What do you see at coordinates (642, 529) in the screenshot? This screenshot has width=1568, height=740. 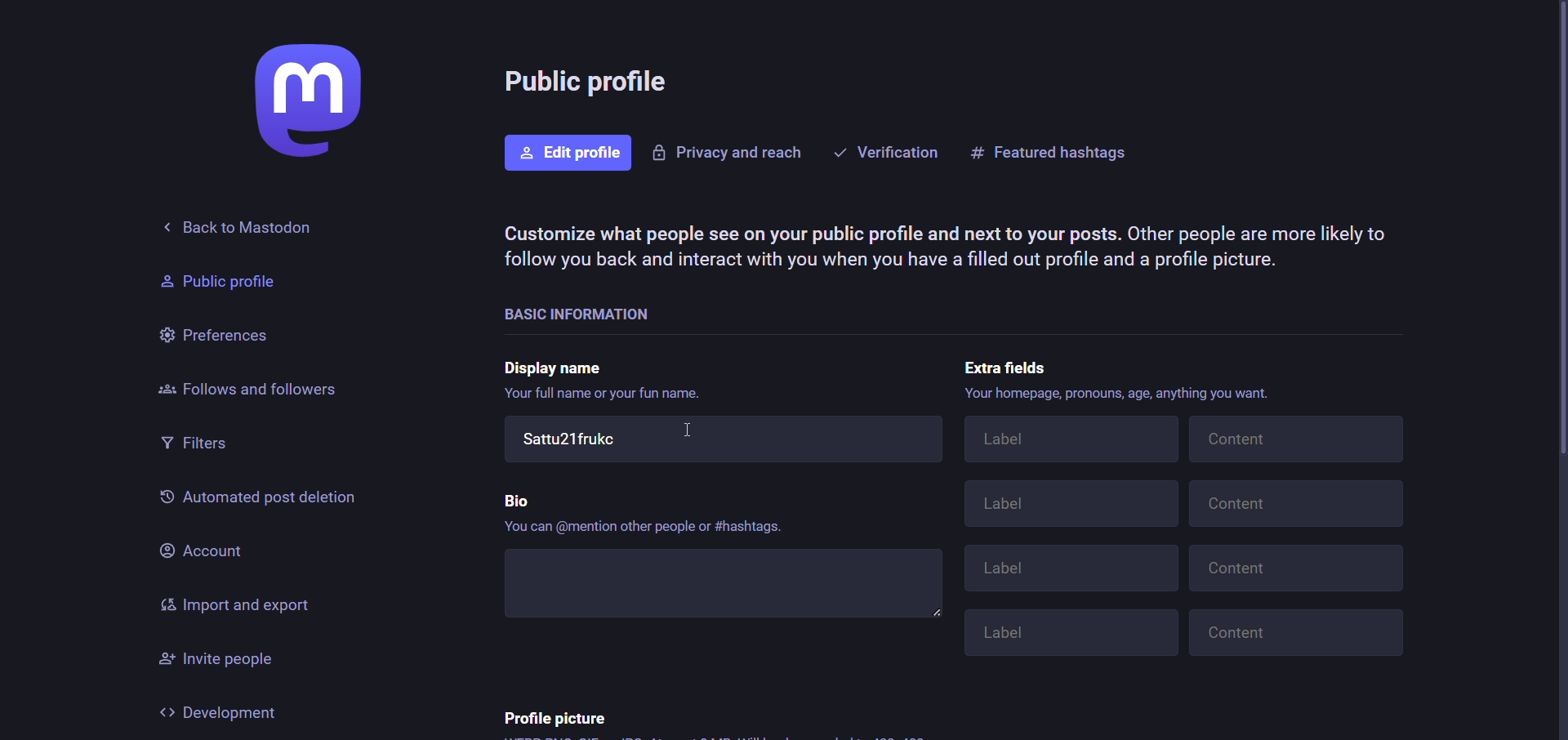 I see `‘You can @mention other people or #hashtags.` at bounding box center [642, 529].